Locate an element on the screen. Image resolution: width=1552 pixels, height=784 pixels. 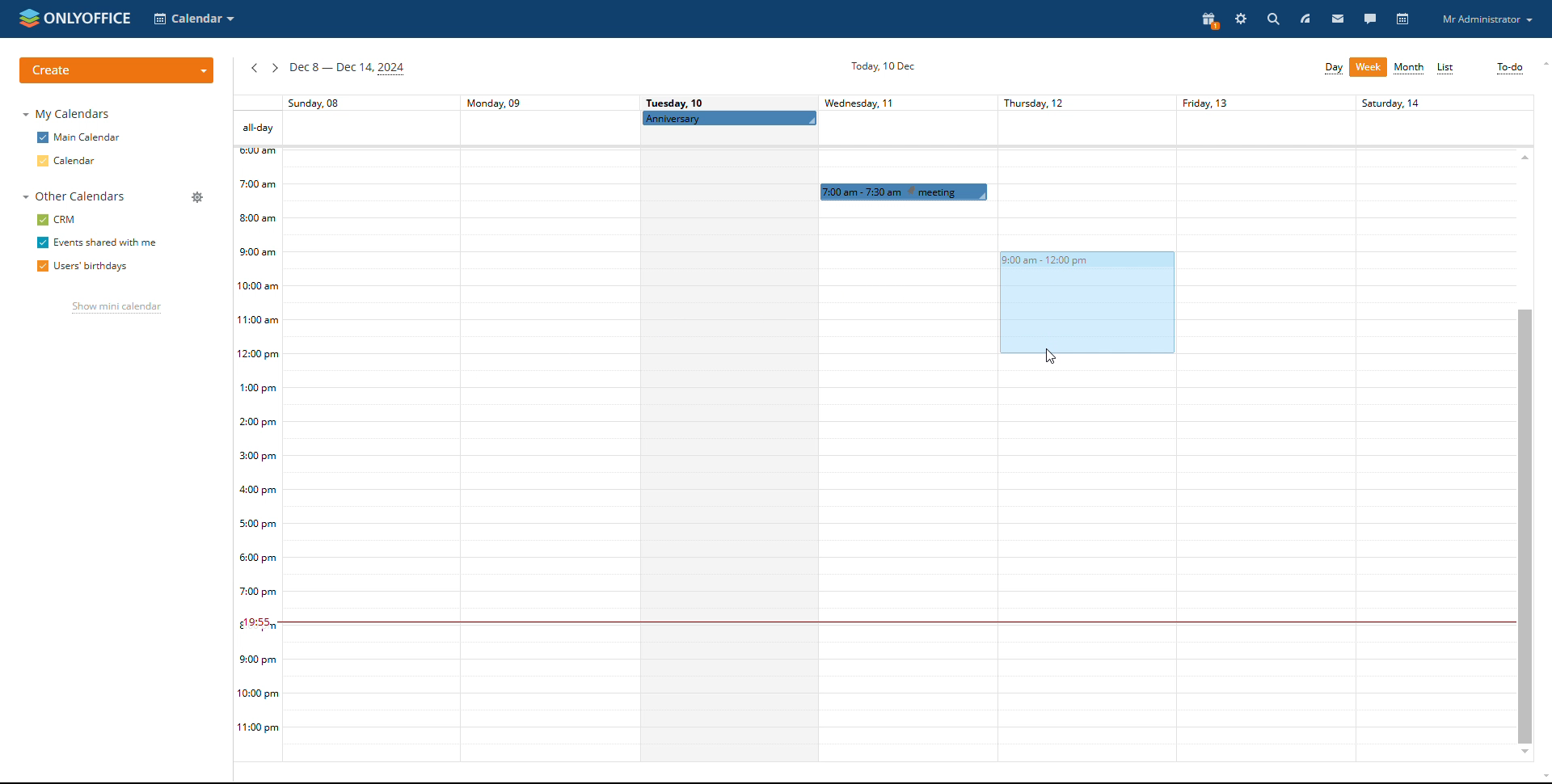
current date is located at coordinates (879, 67).